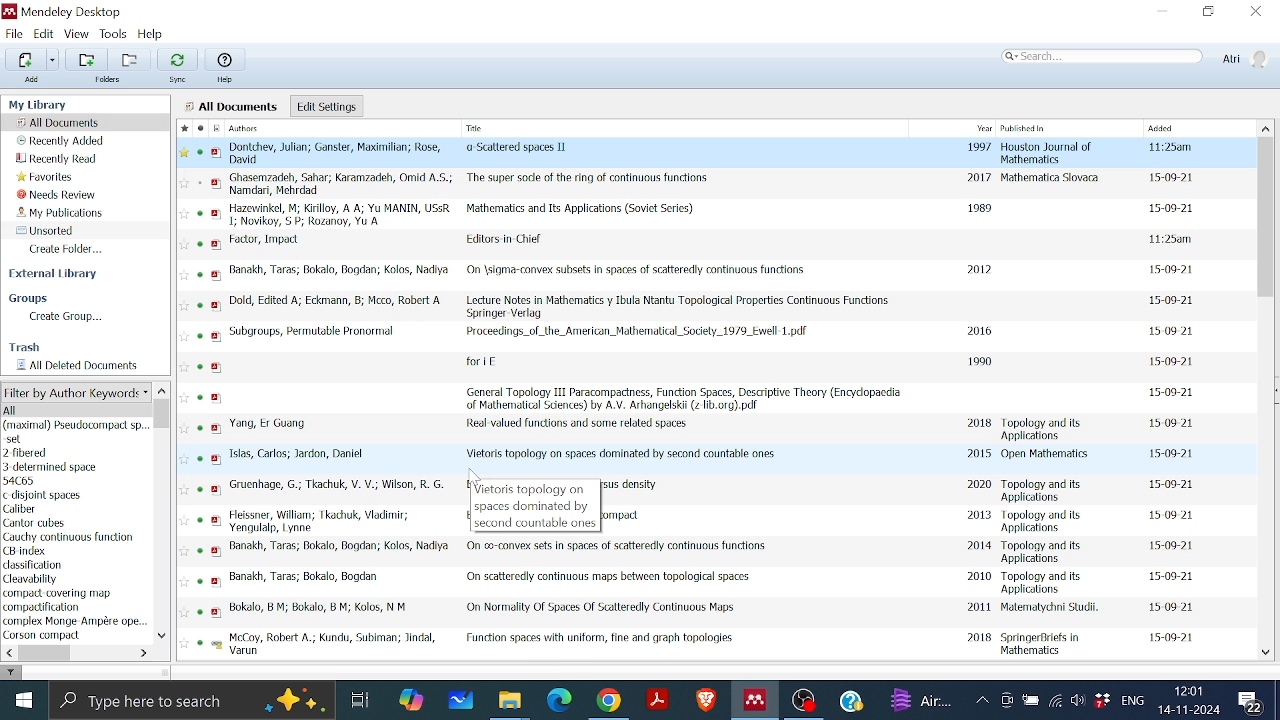 This screenshot has width=1280, height=720. What do you see at coordinates (1056, 699) in the screenshot?
I see `Internet access` at bounding box center [1056, 699].